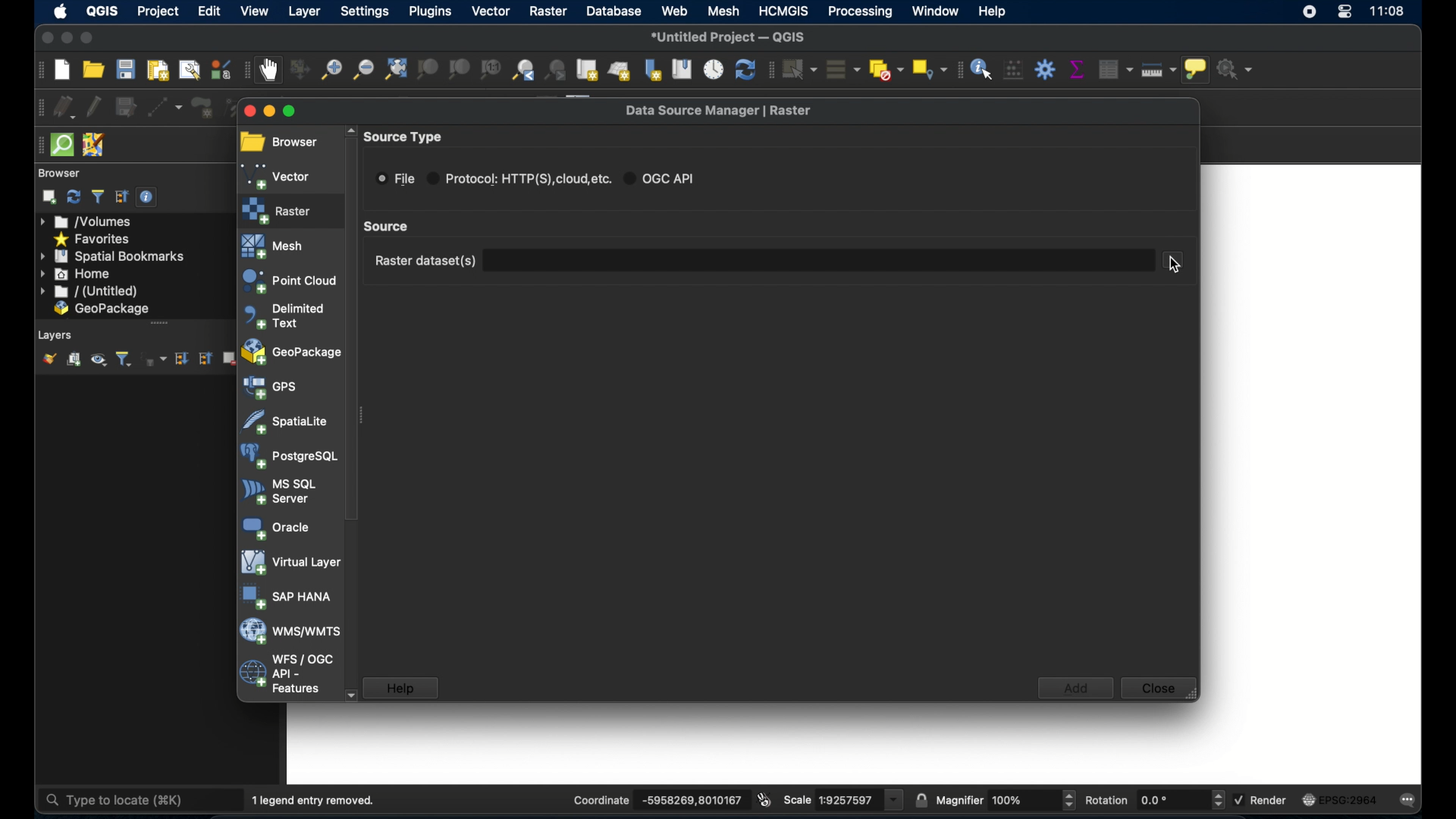 This screenshot has height=819, width=1456. I want to click on add group, so click(74, 359).